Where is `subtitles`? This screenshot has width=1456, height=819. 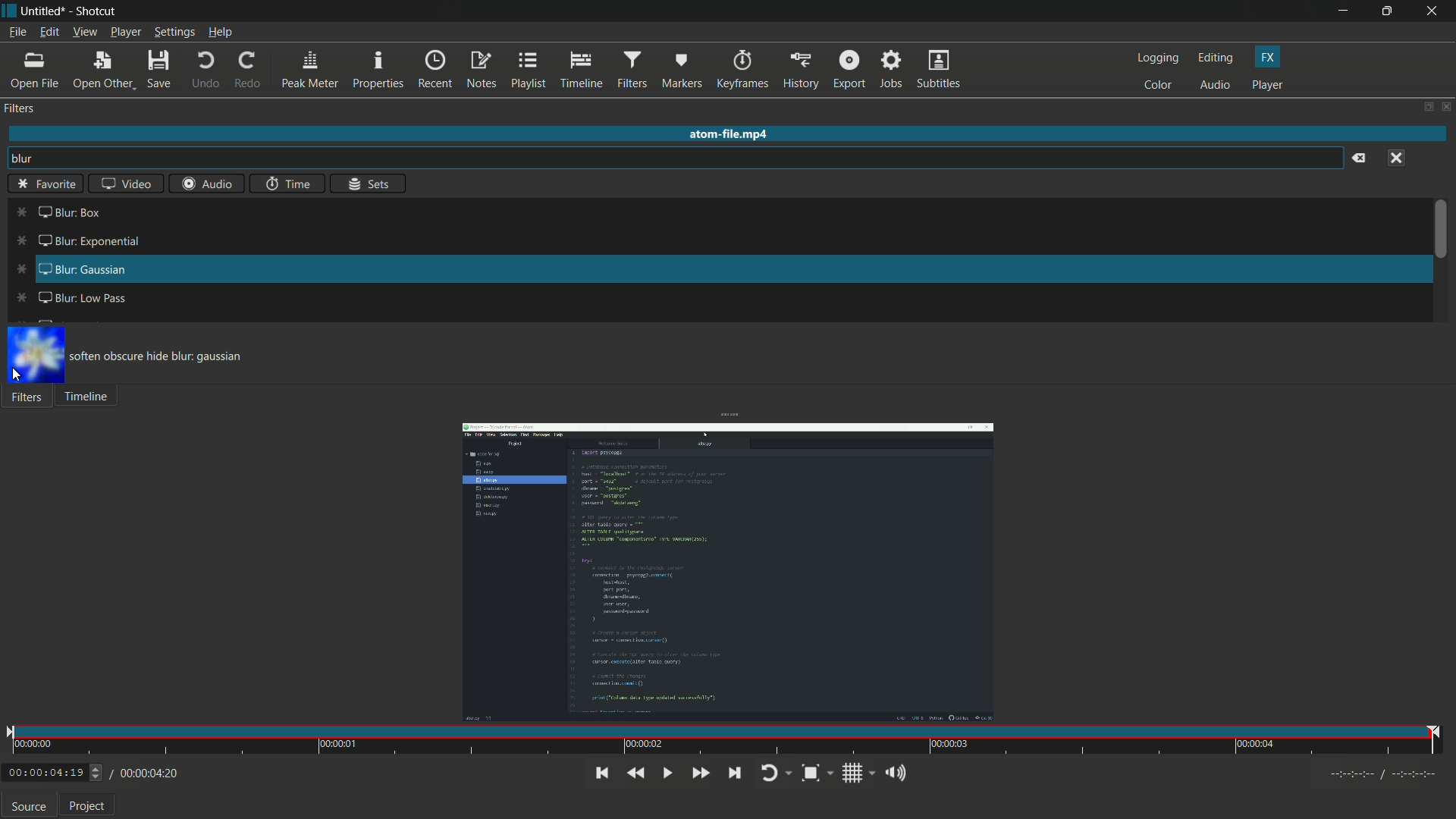
subtitles is located at coordinates (938, 71).